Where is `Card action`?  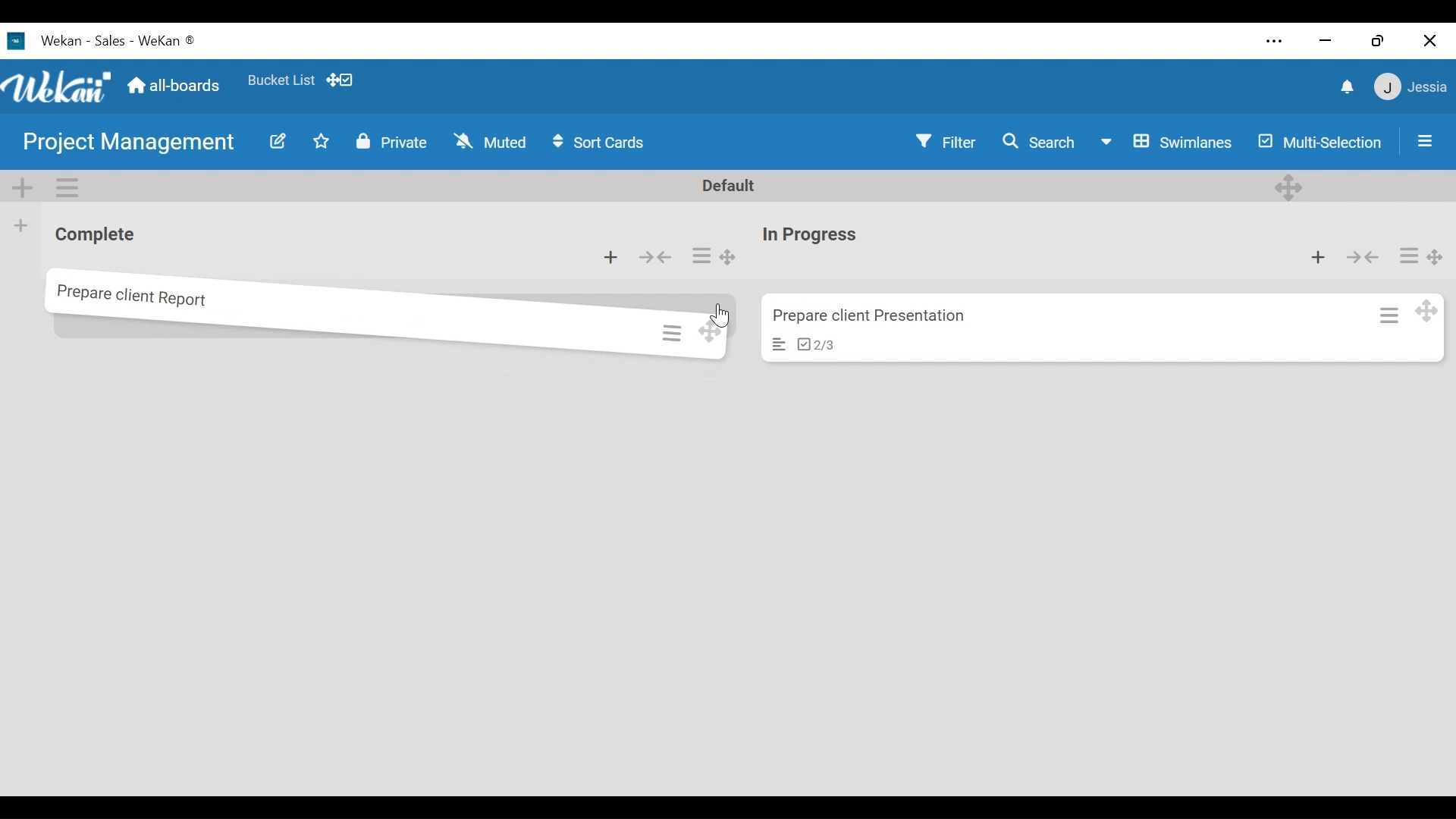
Card action is located at coordinates (1385, 319).